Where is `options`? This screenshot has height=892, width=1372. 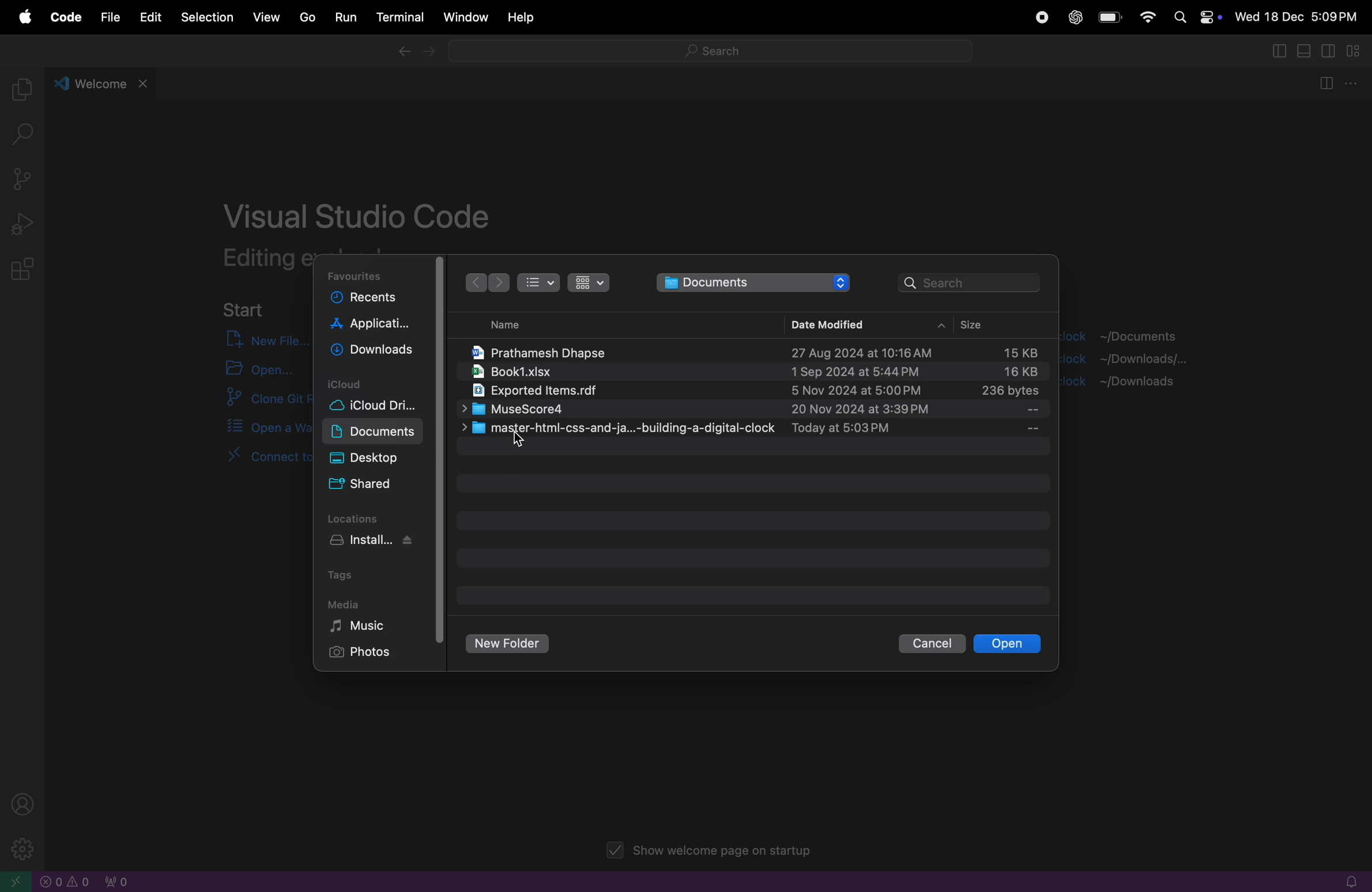 options is located at coordinates (1354, 84).